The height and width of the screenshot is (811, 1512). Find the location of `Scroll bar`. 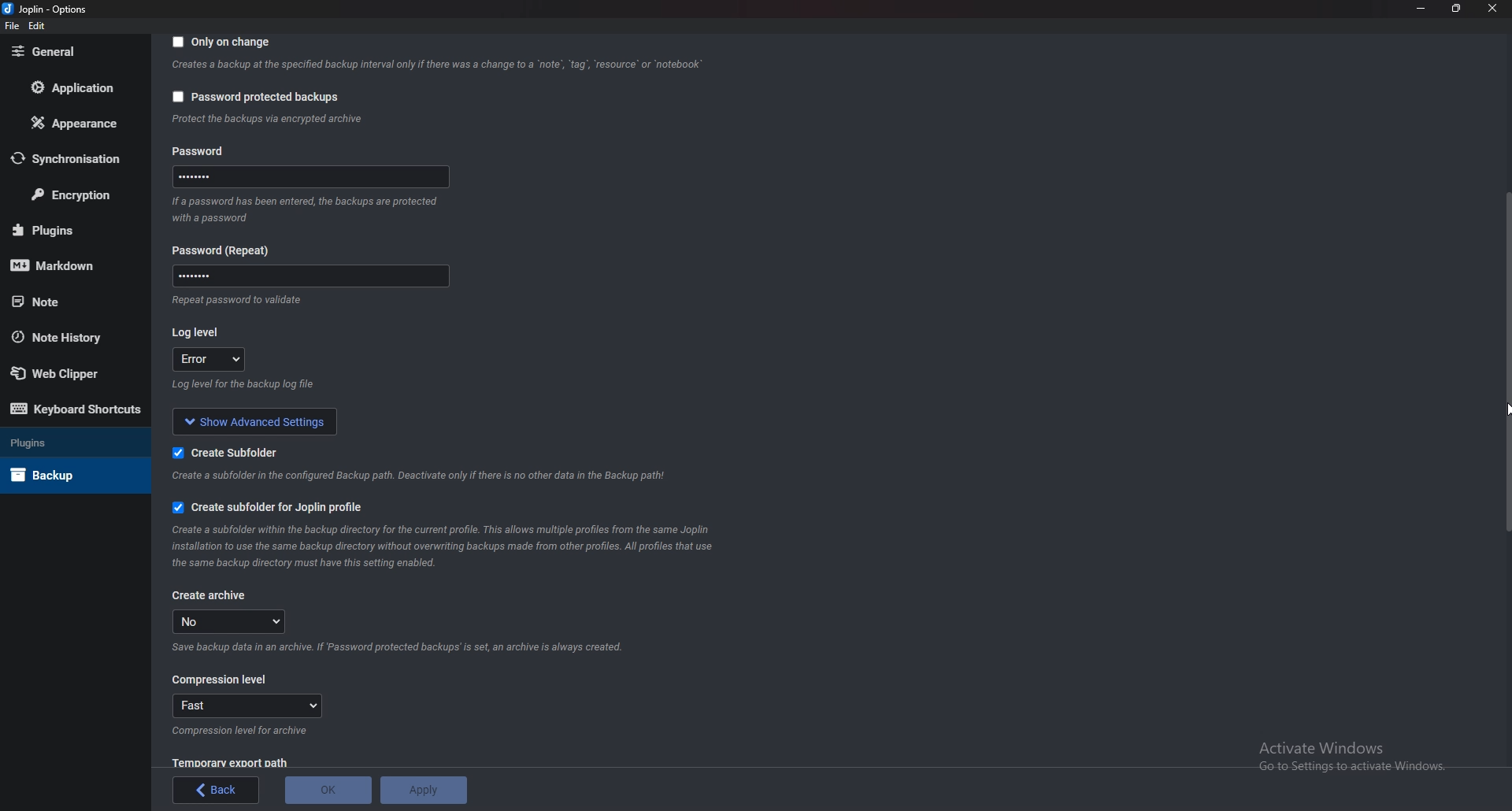

Scroll bar is located at coordinates (1507, 361).